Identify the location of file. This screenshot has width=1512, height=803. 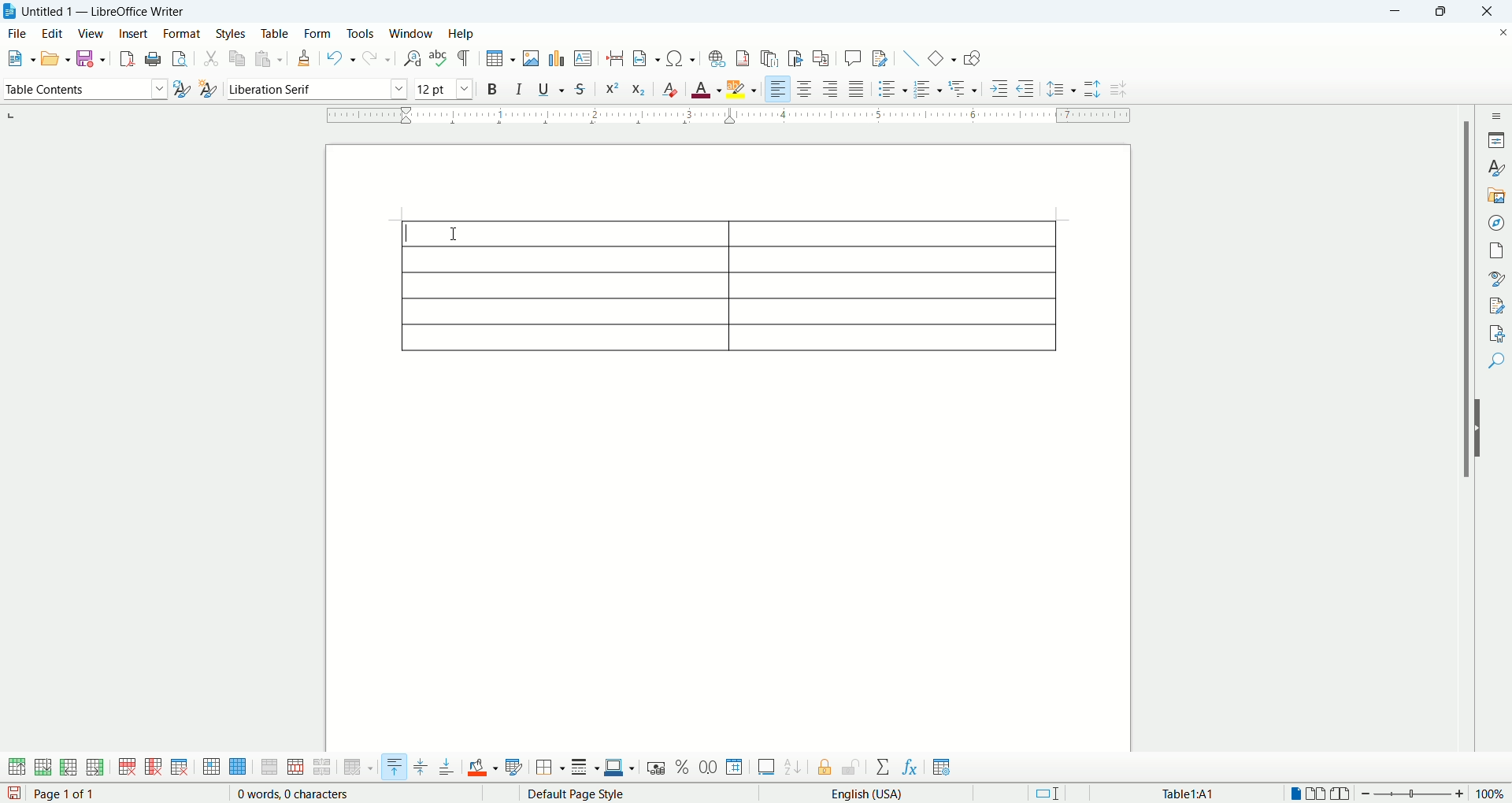
(17, 34).